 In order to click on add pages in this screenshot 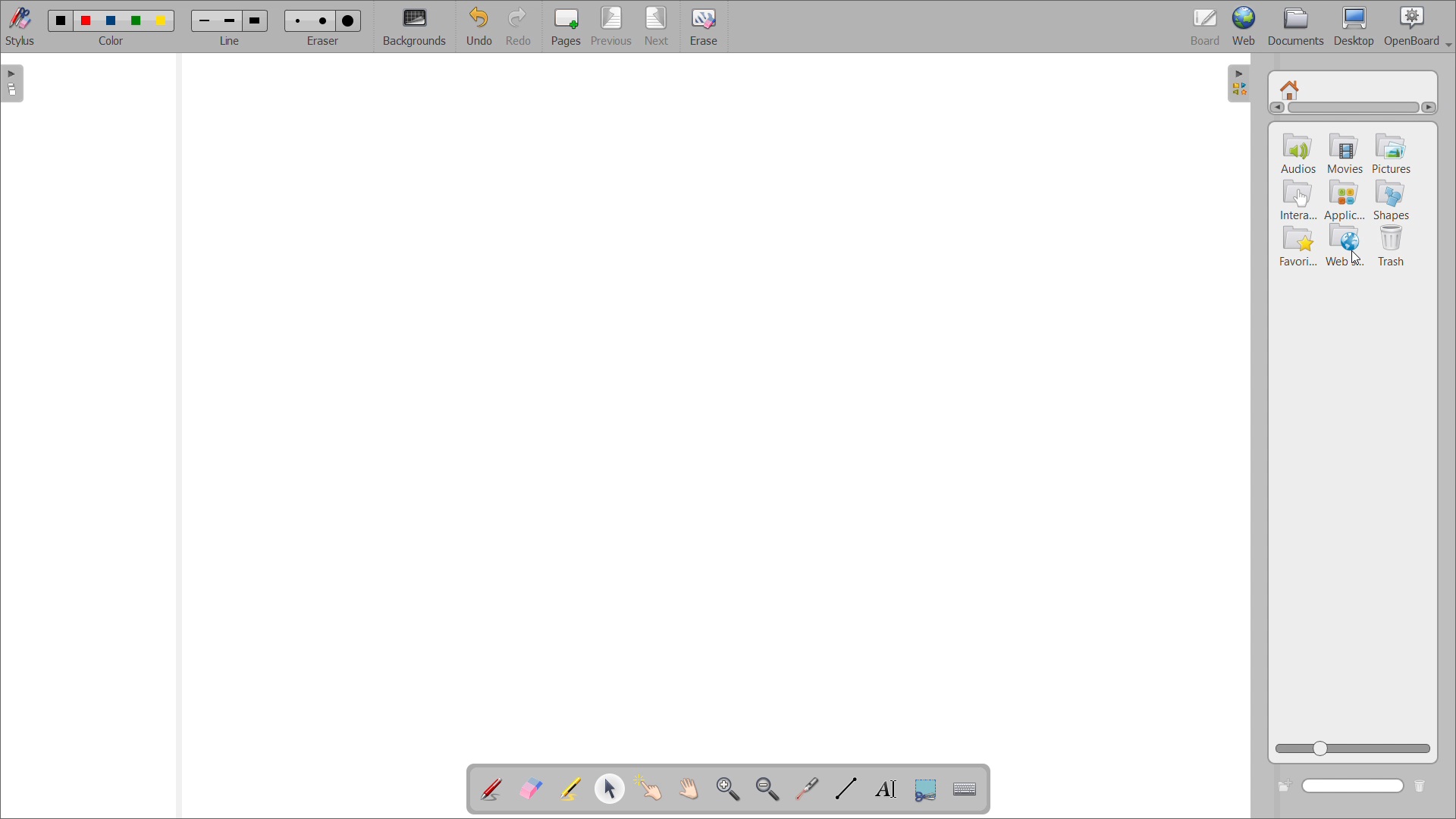, I will do `click(566, 26)`.